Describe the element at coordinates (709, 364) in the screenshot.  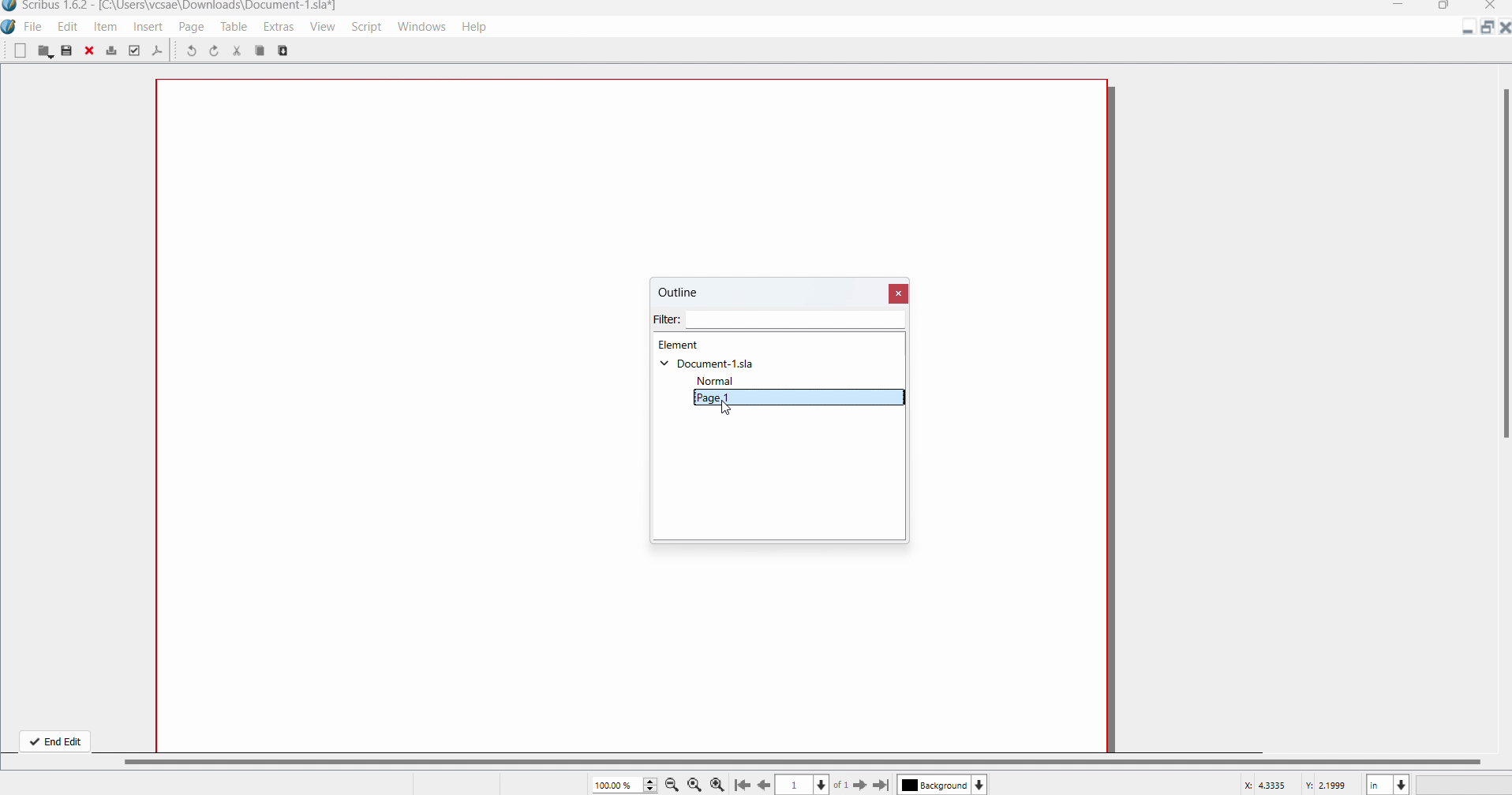
I see `Document` at that location.